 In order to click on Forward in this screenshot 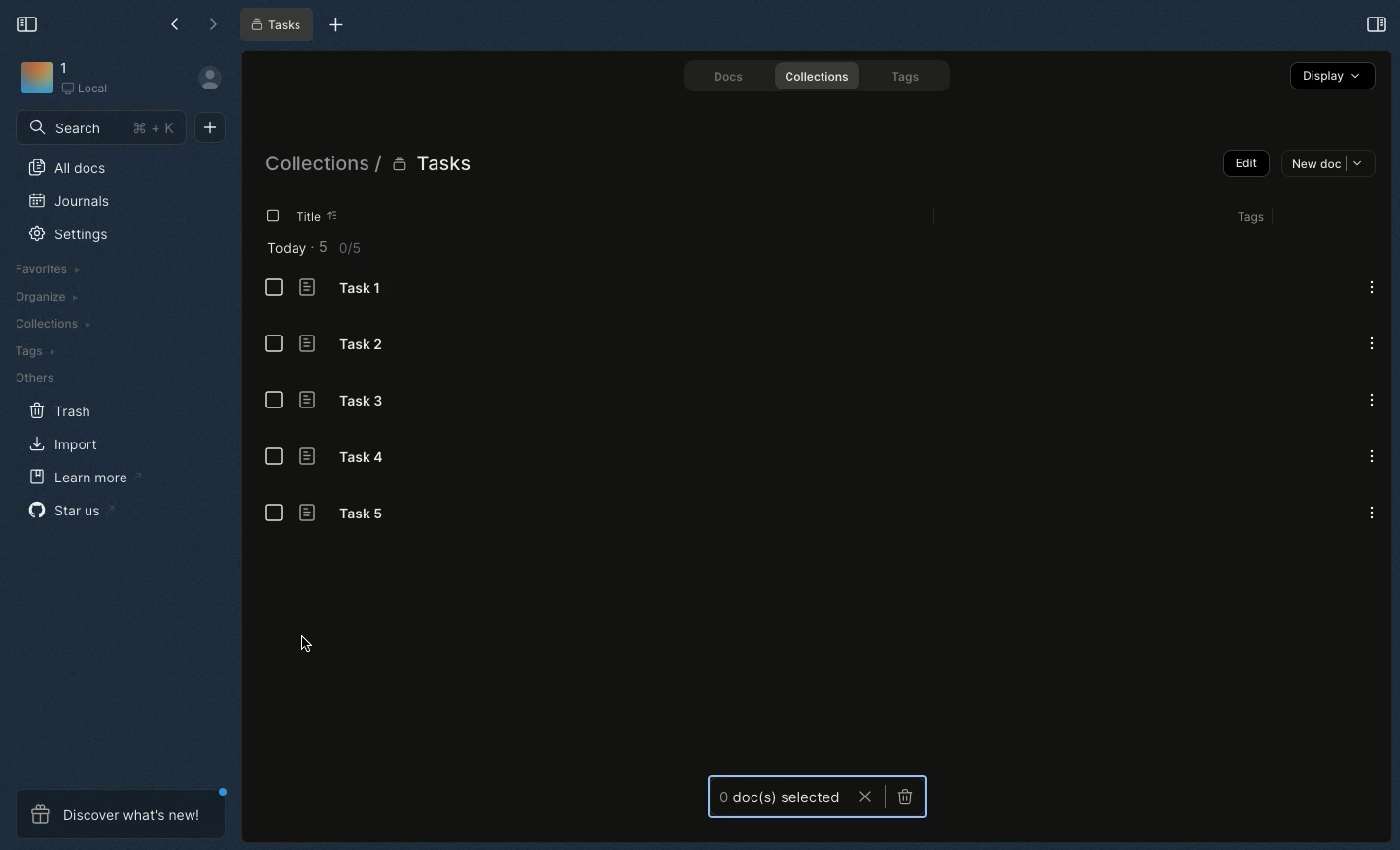, I will do `click(215, 25)`.